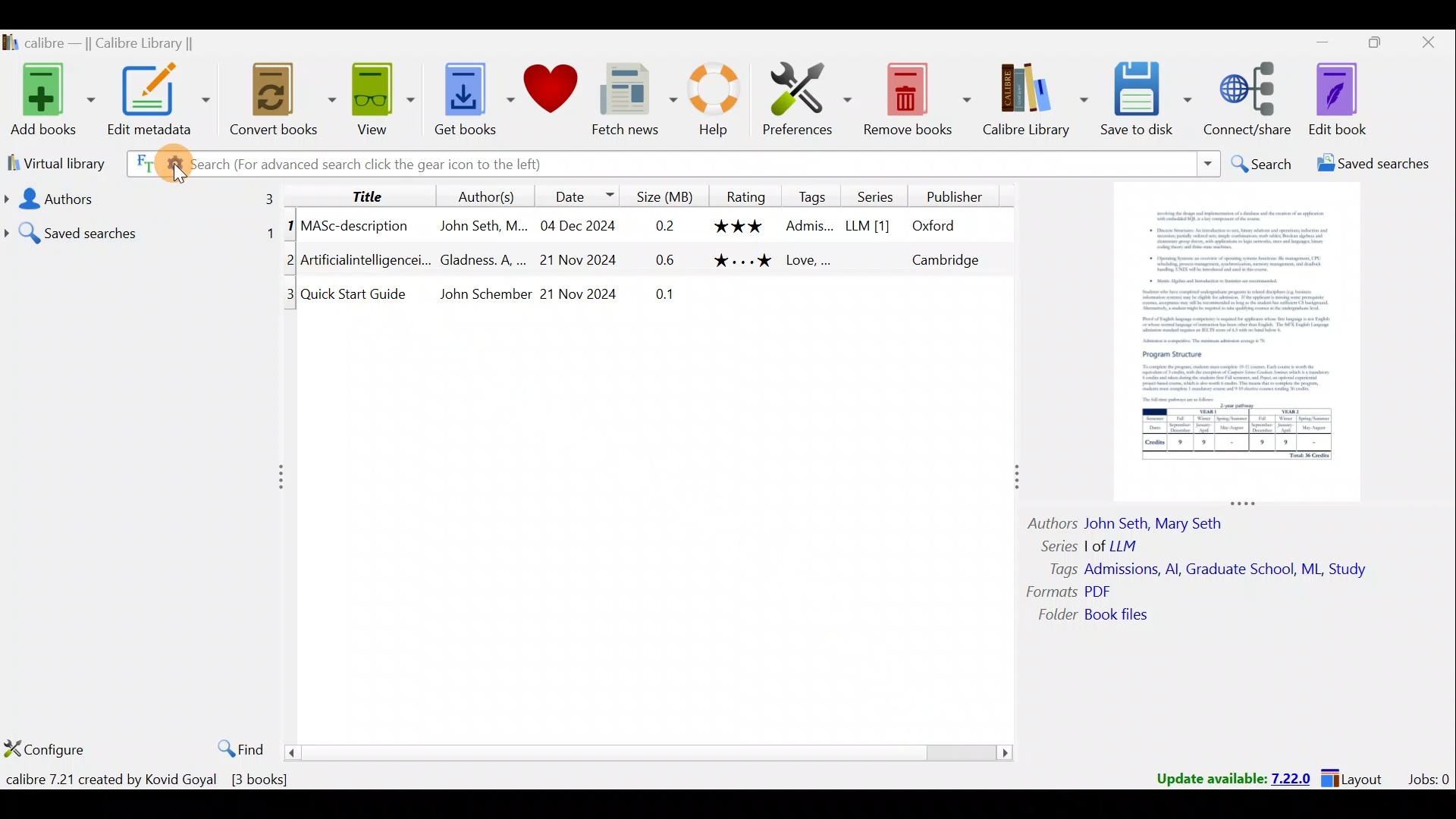  What do you see at coordinates (287, 262) in the screenshot?
I see `2` at bounding box center [287, 262].